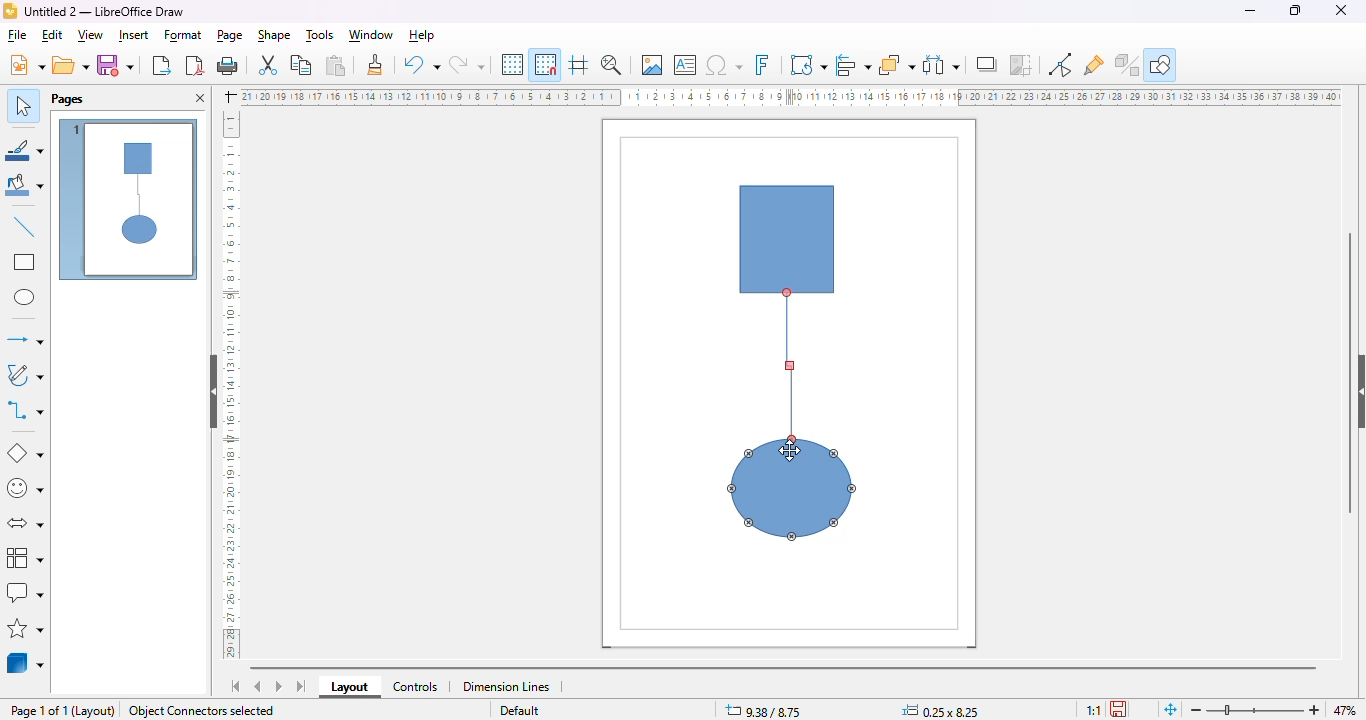 The height and width of the screenshot is (720, 1366). Describe the element at coordinates (27, 64) in the screenshot. I see `new` at that location.